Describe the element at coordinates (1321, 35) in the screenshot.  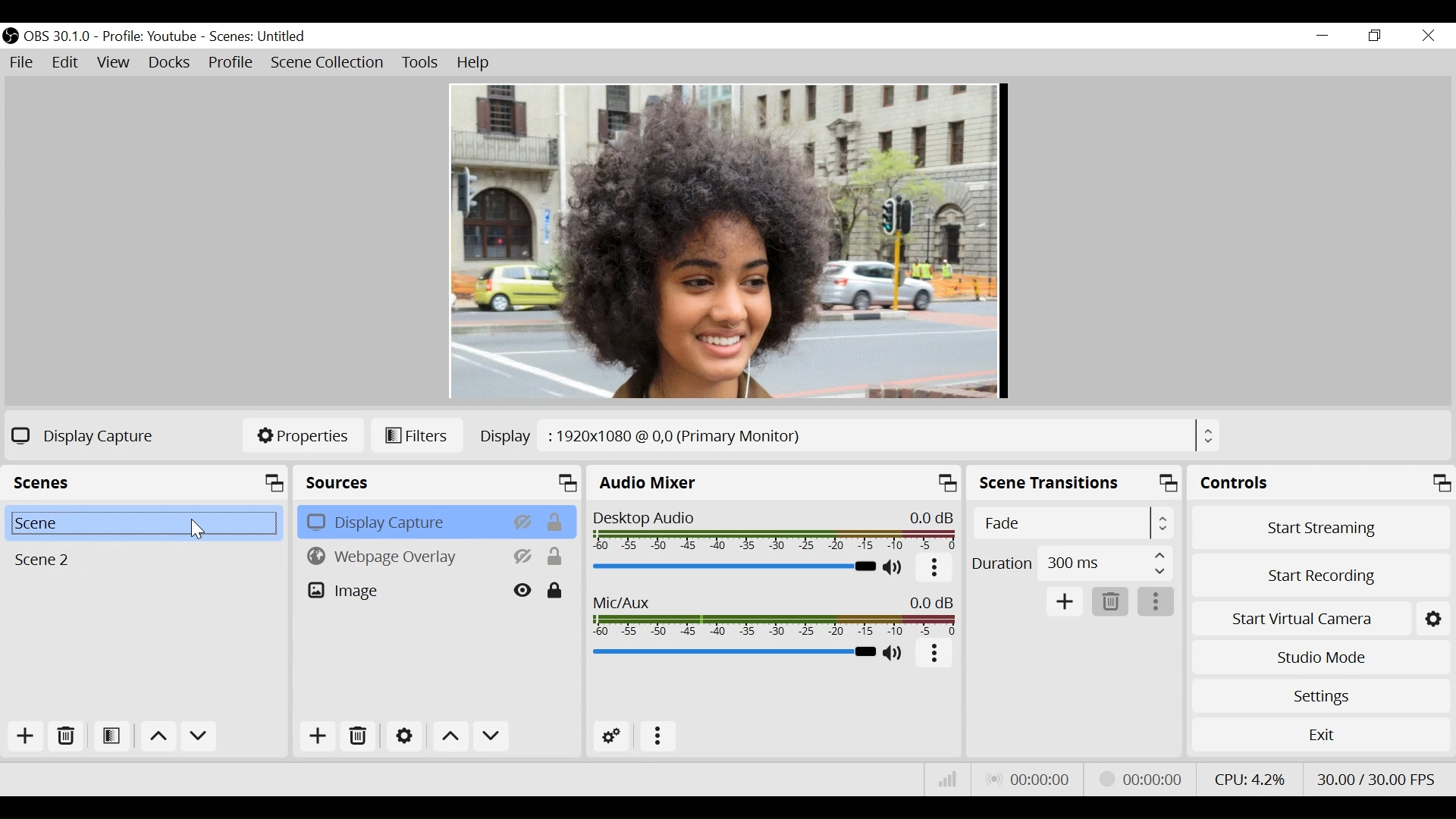
I see `minimize` at that location.